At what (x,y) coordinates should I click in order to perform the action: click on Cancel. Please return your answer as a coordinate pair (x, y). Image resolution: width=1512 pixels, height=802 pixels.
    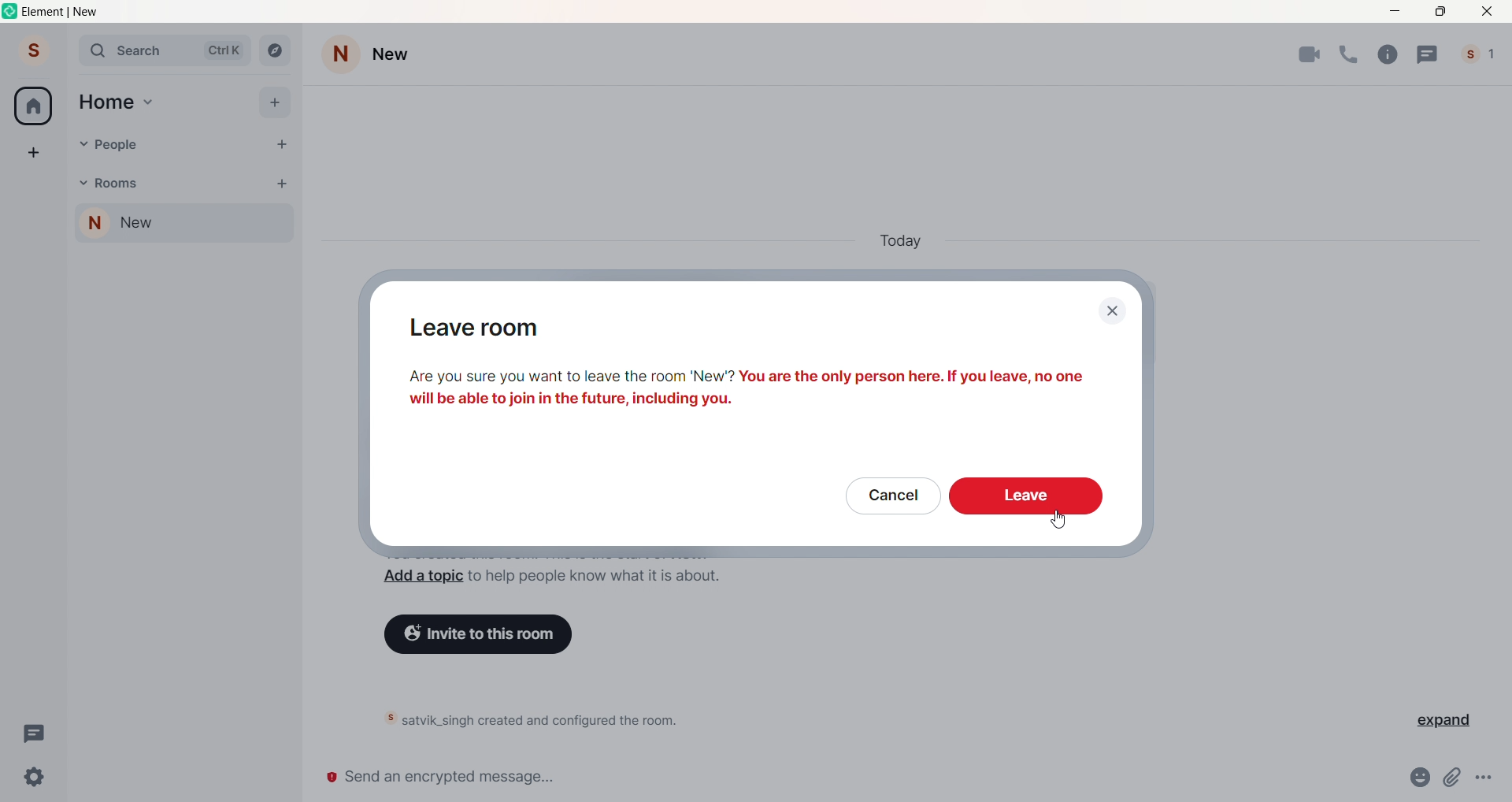
    Looking at the image, I should click on (888, 498).